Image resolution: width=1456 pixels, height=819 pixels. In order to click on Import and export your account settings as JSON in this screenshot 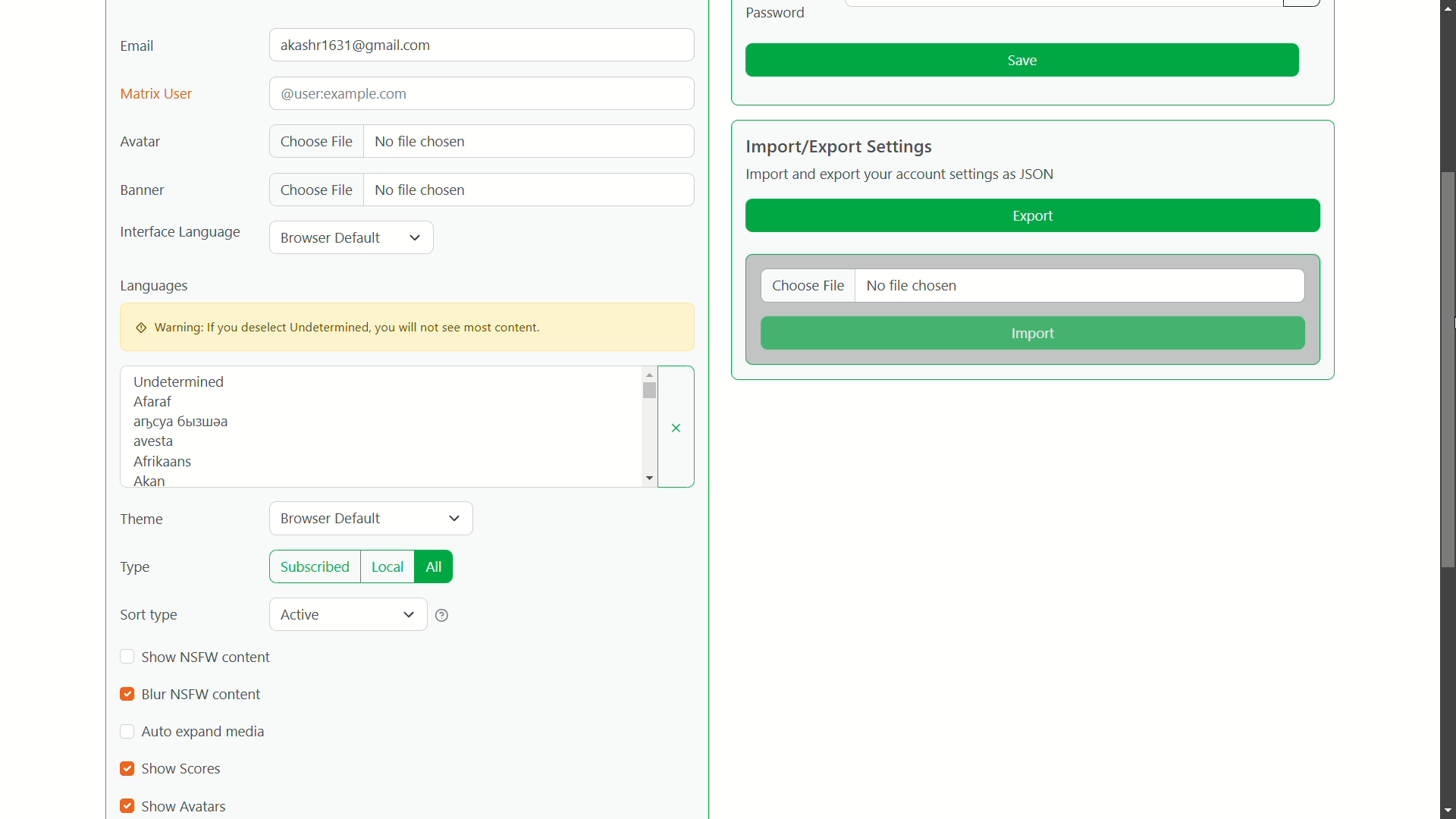, I will do `click(903, 177)`.